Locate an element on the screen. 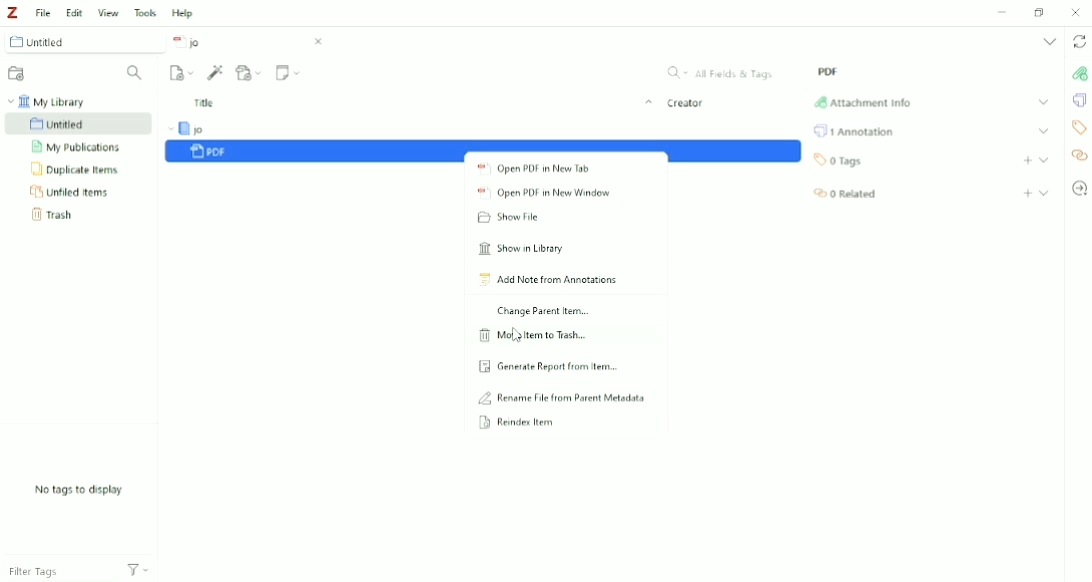  jo is located at coordinates (248, 42).